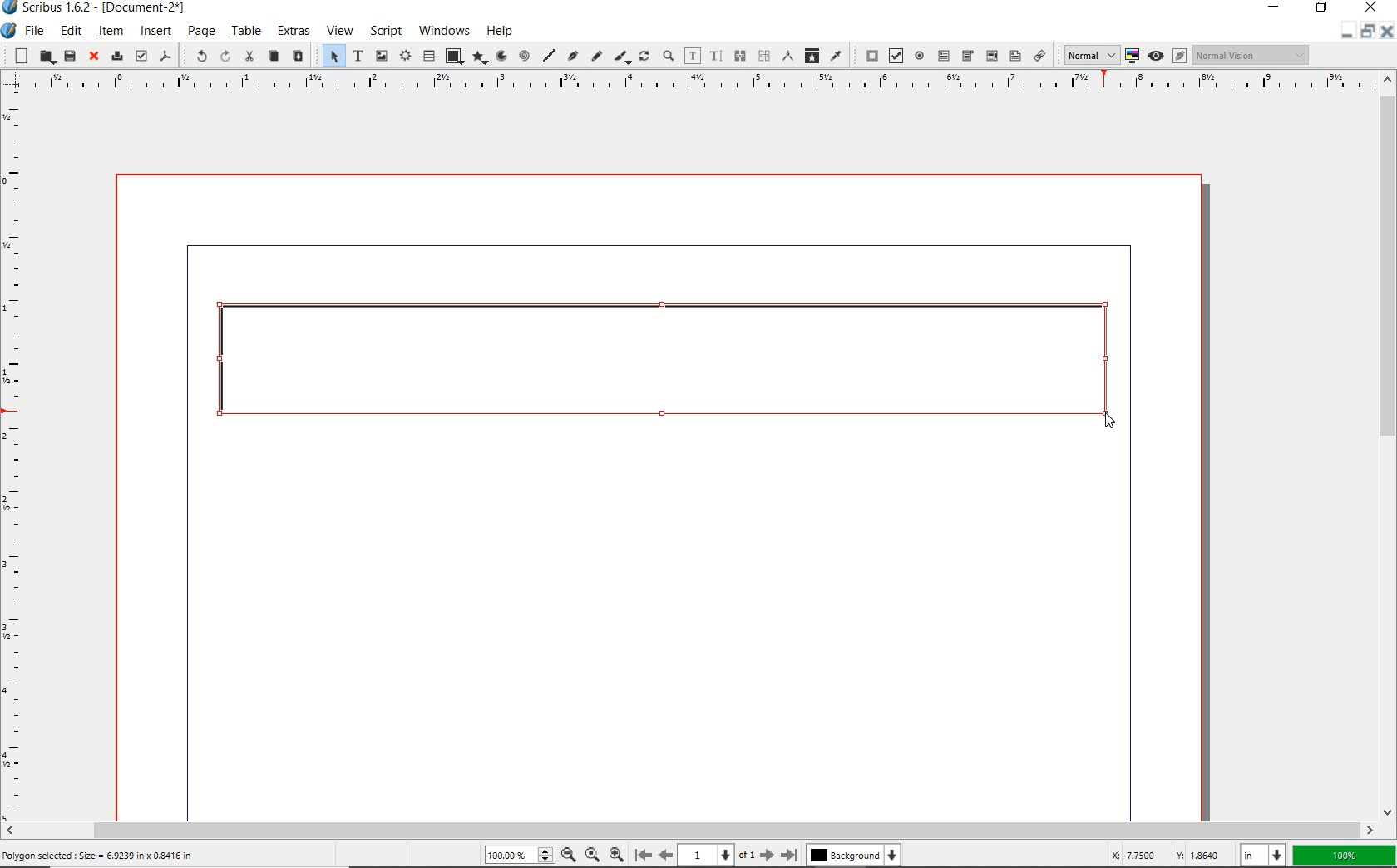 This screenshot has height=868, width=1397. Describe the element at coordinates (358, 56) in the screenshot. I see `text frame` at that location.